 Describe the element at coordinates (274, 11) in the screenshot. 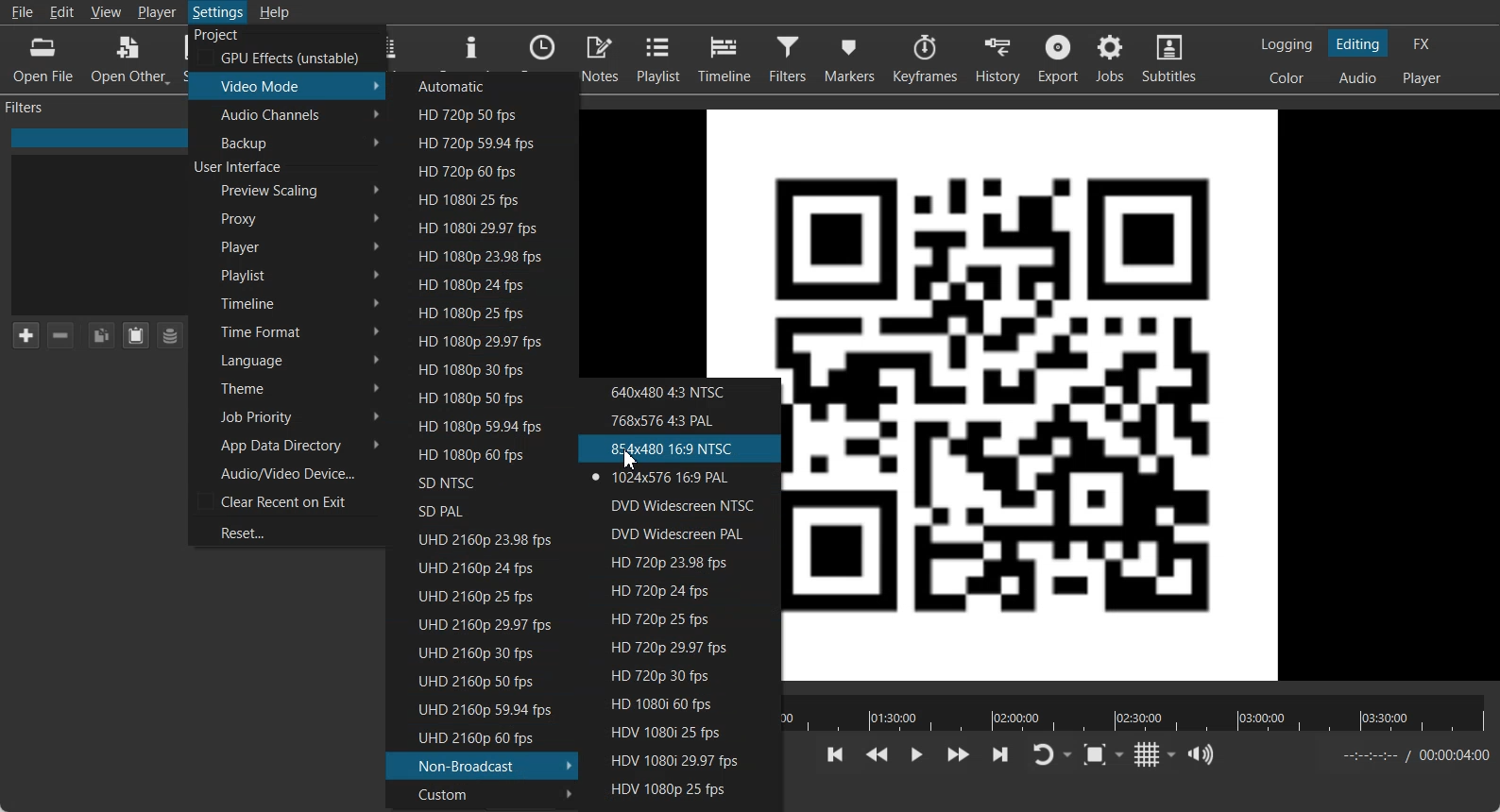

I see `Help` at that location.